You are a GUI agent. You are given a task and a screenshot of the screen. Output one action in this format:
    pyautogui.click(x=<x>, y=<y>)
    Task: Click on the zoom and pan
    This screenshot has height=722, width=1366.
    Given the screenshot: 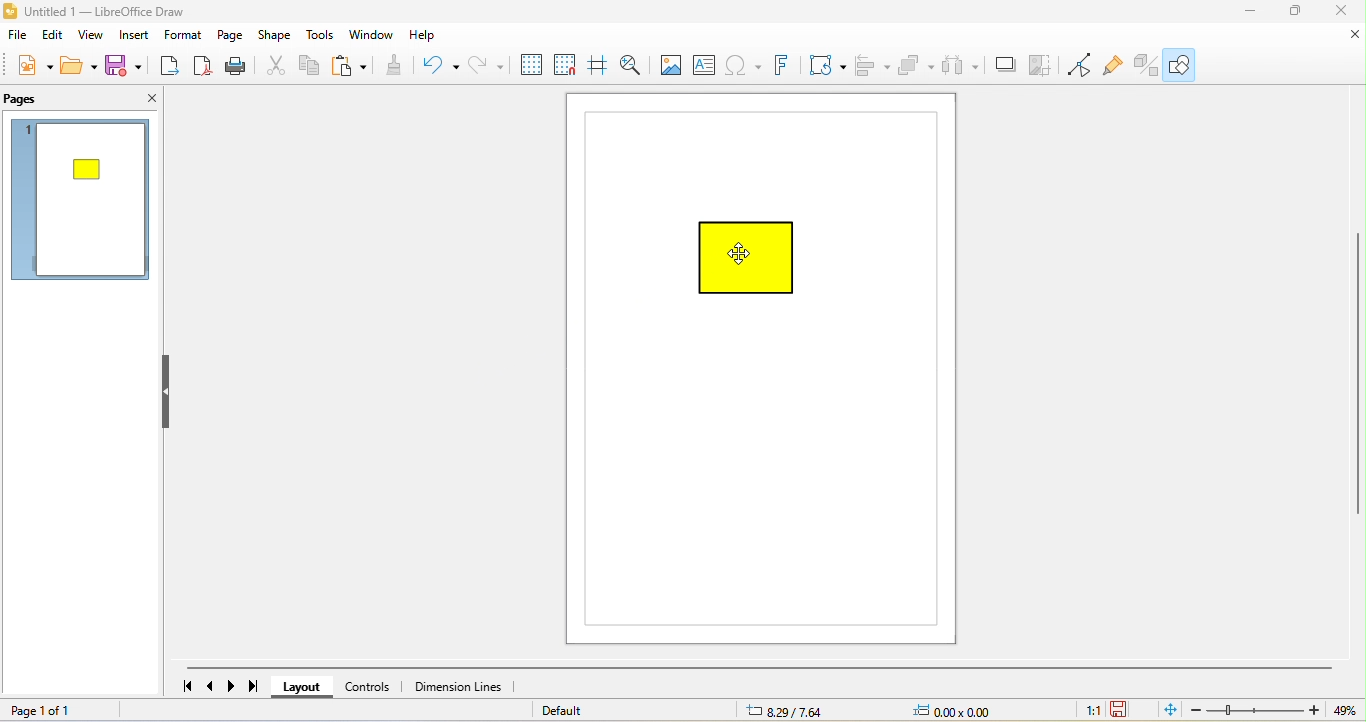 What is the action you would take?
    pyautogui.click(x=631, y=63)
    